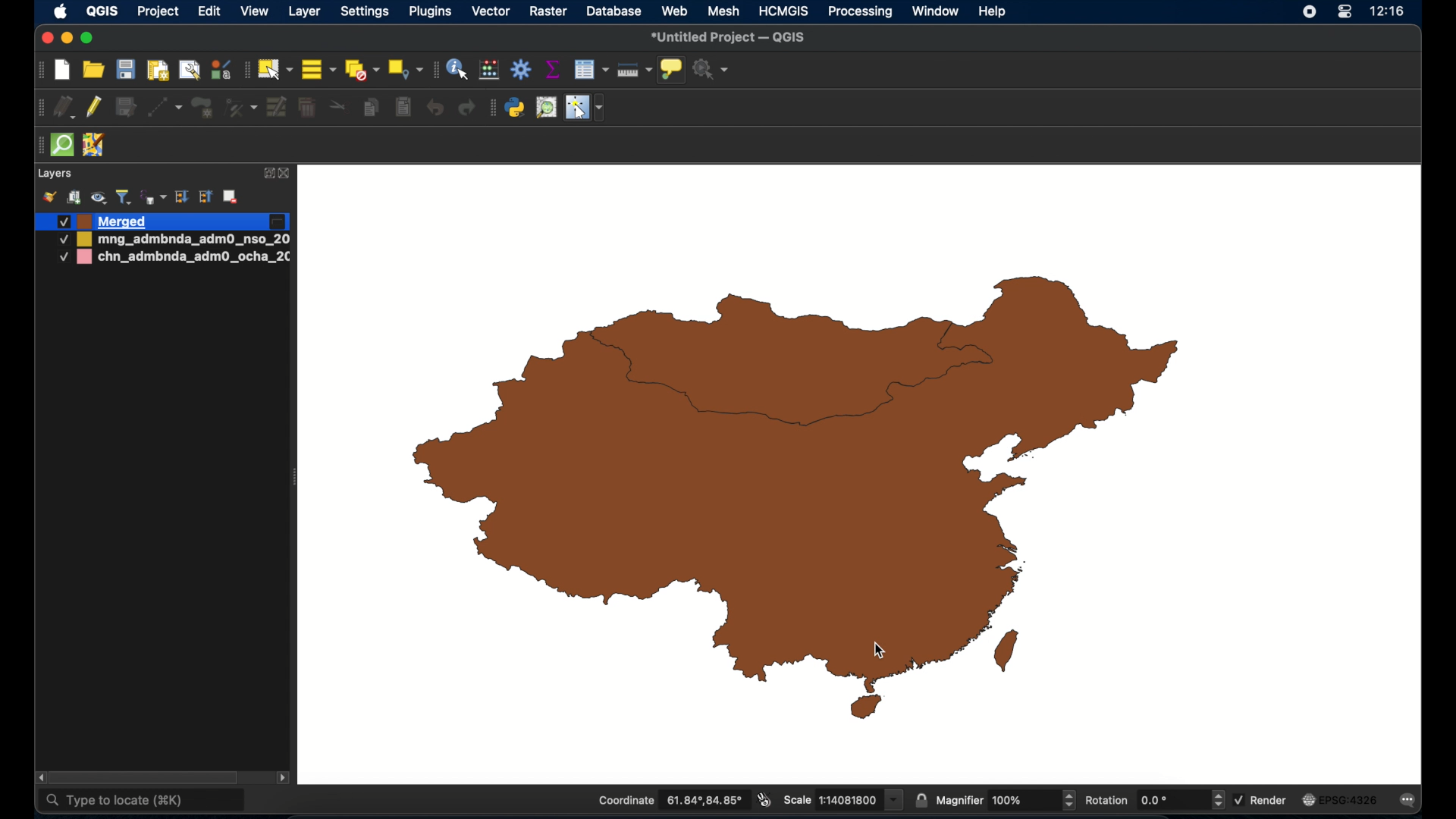  What do you see at coordinates (762, 799) in the screenshot?
I see `toggle extents and mouse position display` at bounding box center [762, 799].